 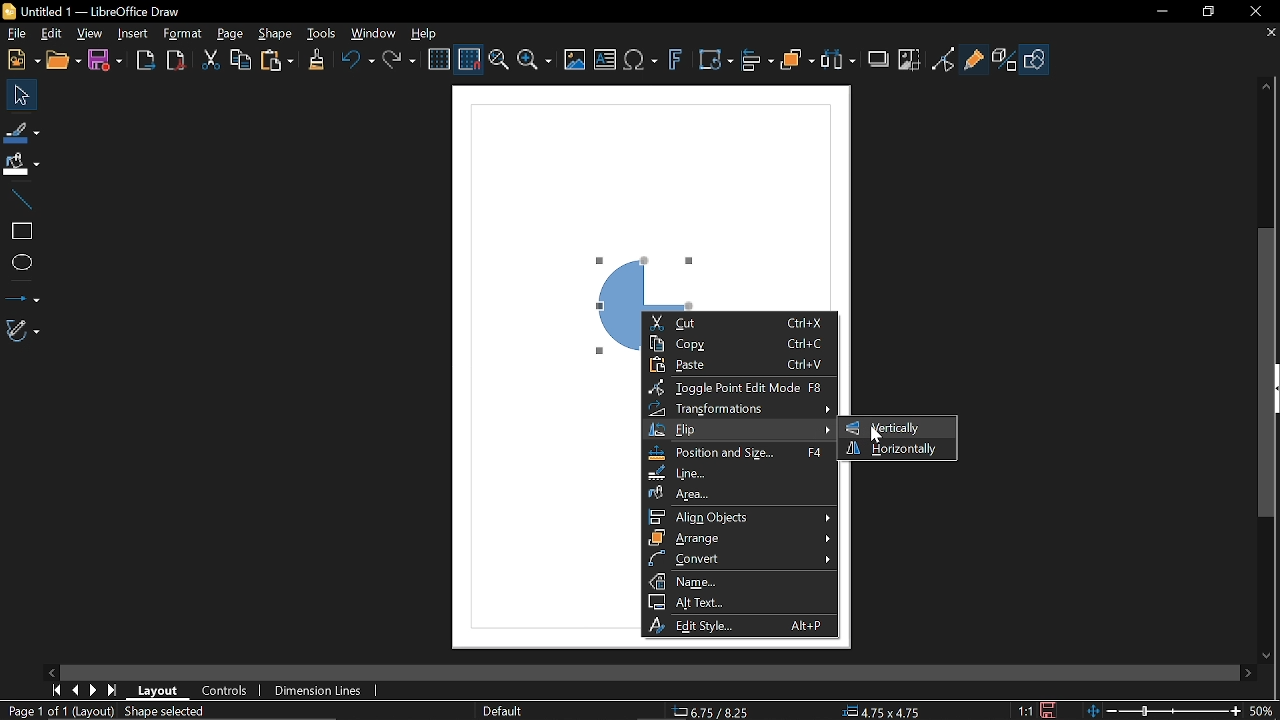 I want to click on Toggle ectrusion, so click(x=1005, y=60).